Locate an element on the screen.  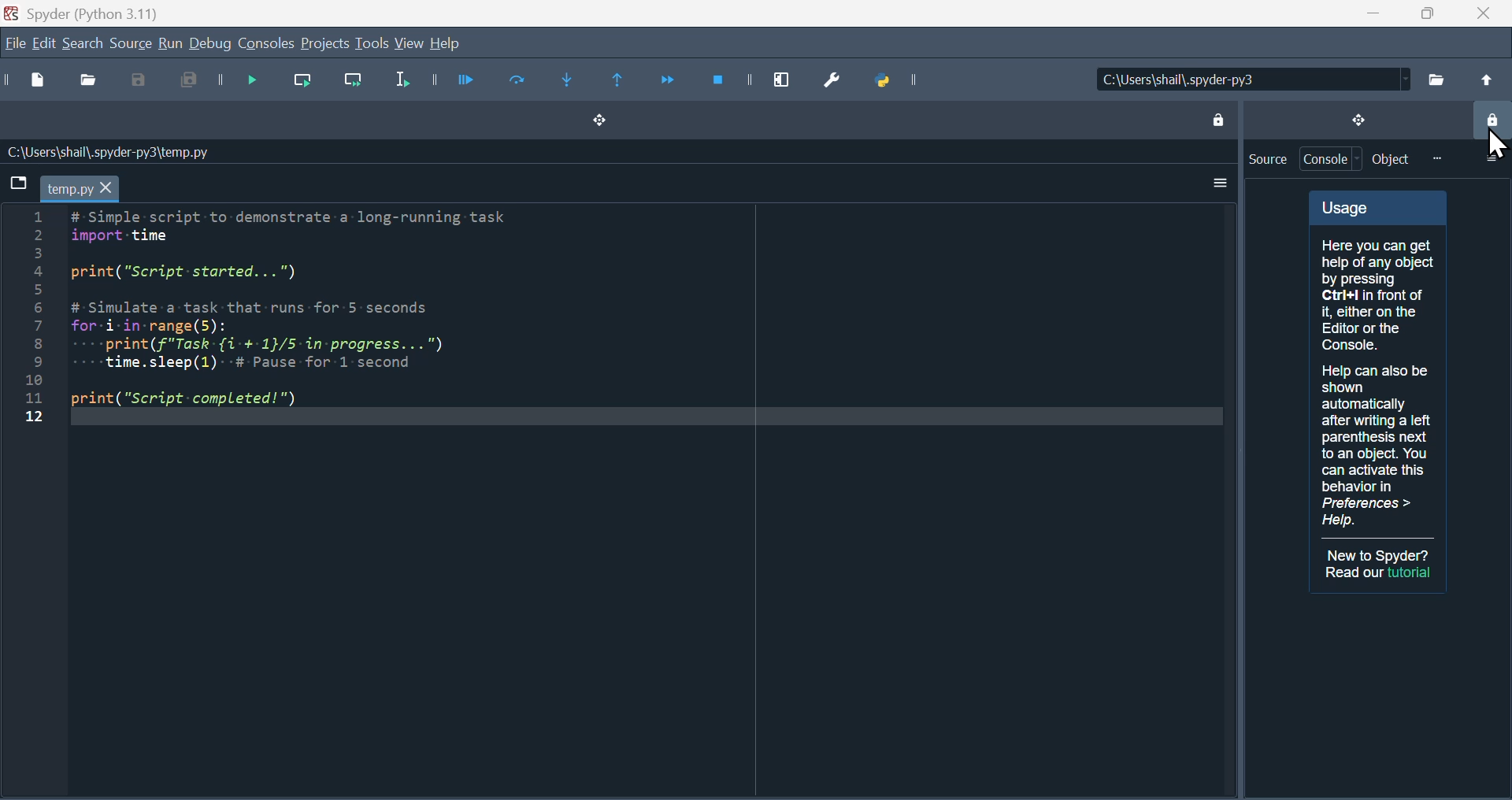
run current line and go to the next one is located at coordinates (356, 84).